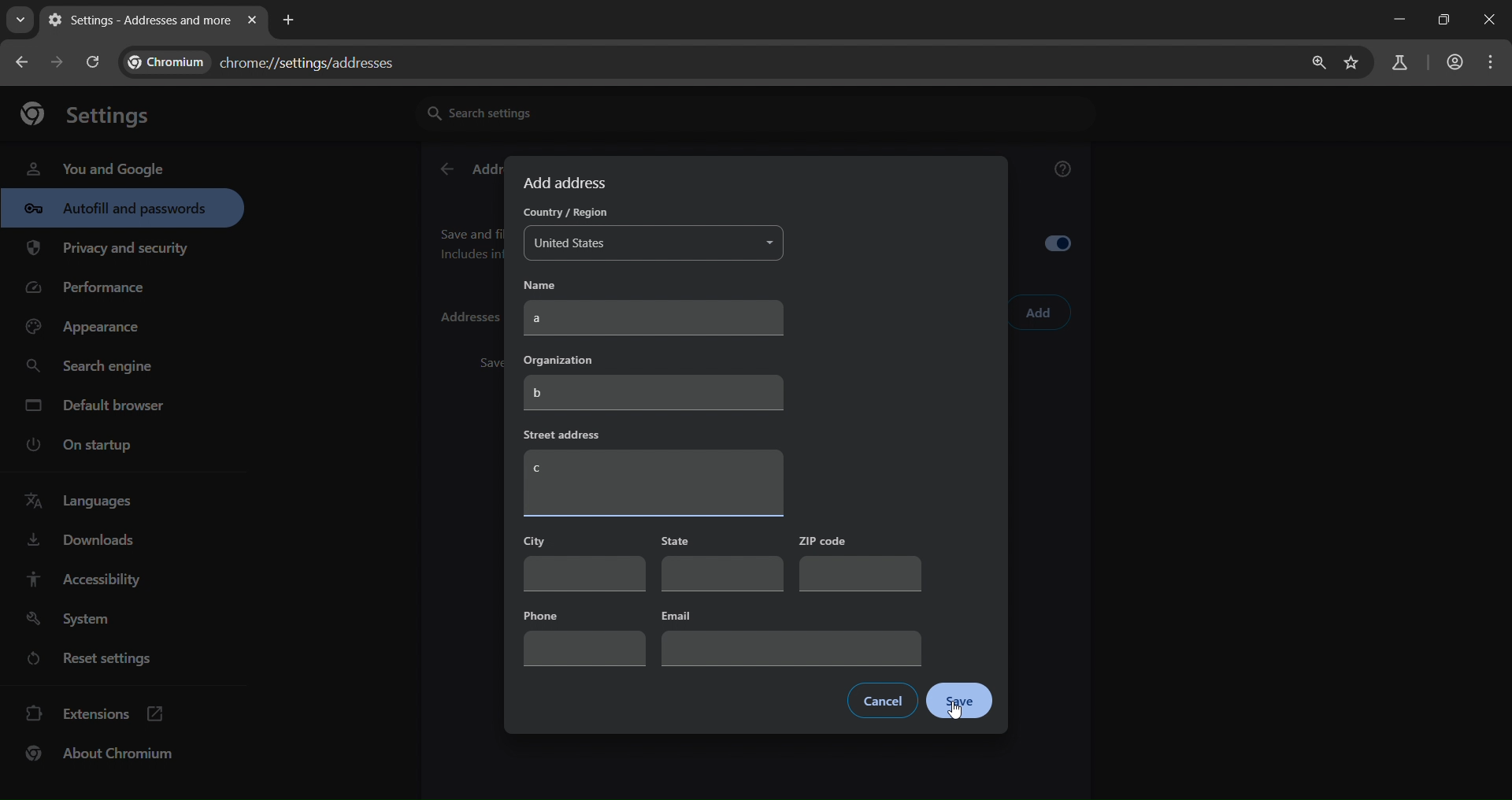  What do you see at coordinates (958, 716) in the screenshot?
I see `cursor` at bounding box center [958, 716].